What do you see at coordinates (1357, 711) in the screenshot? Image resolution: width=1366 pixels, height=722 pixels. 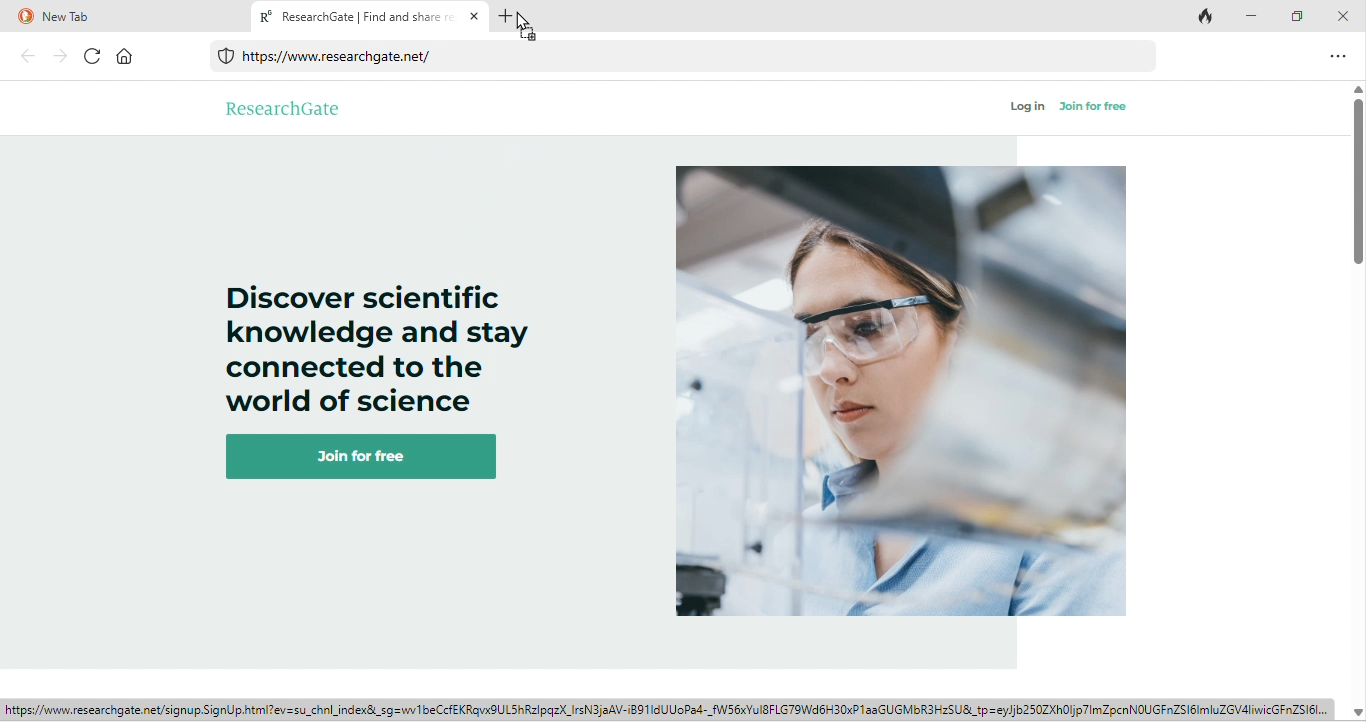 I see `Scroll down` at bounding box center [1357, 711].